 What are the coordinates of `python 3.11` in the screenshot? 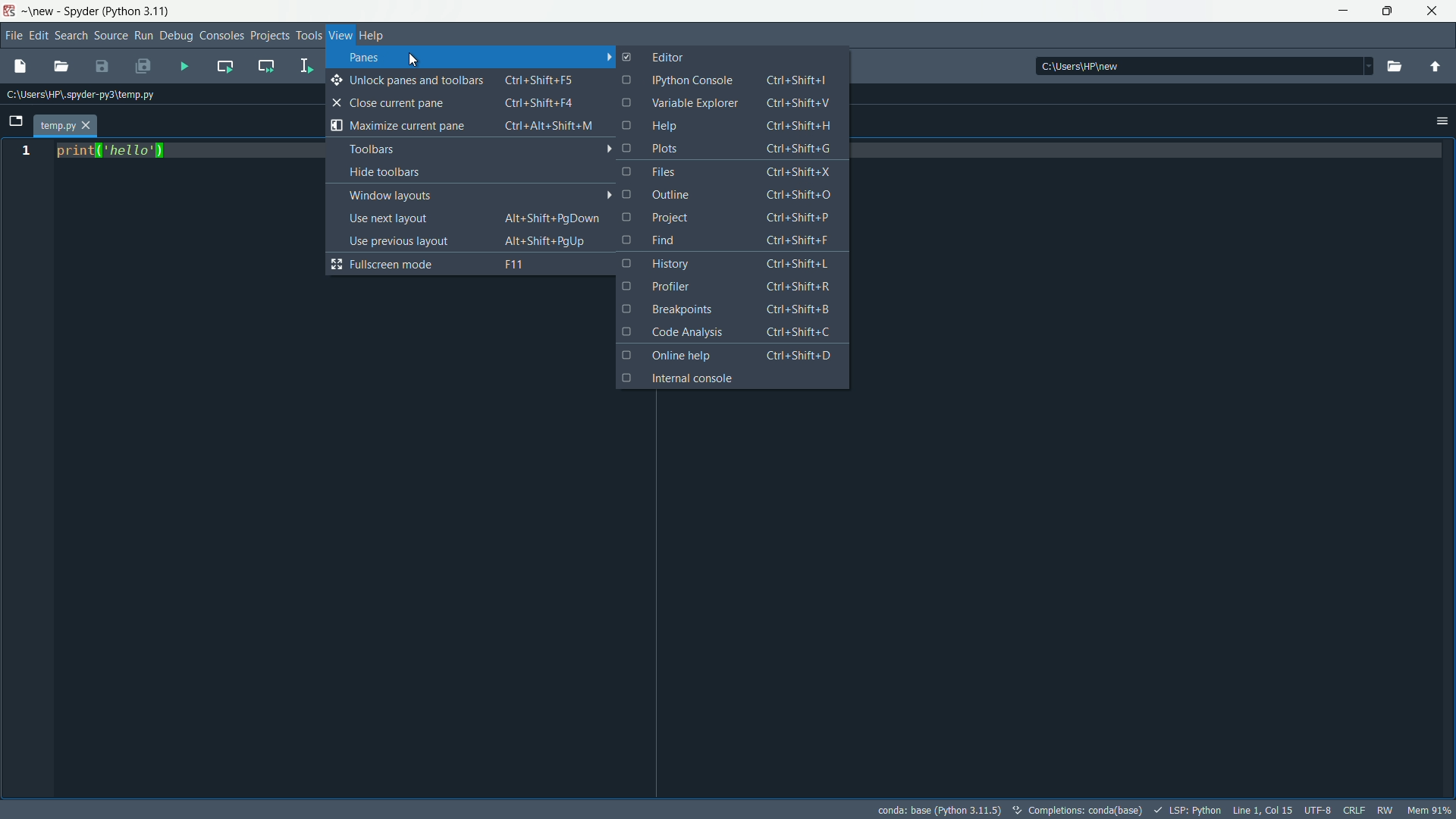 It's located at (142, 12).